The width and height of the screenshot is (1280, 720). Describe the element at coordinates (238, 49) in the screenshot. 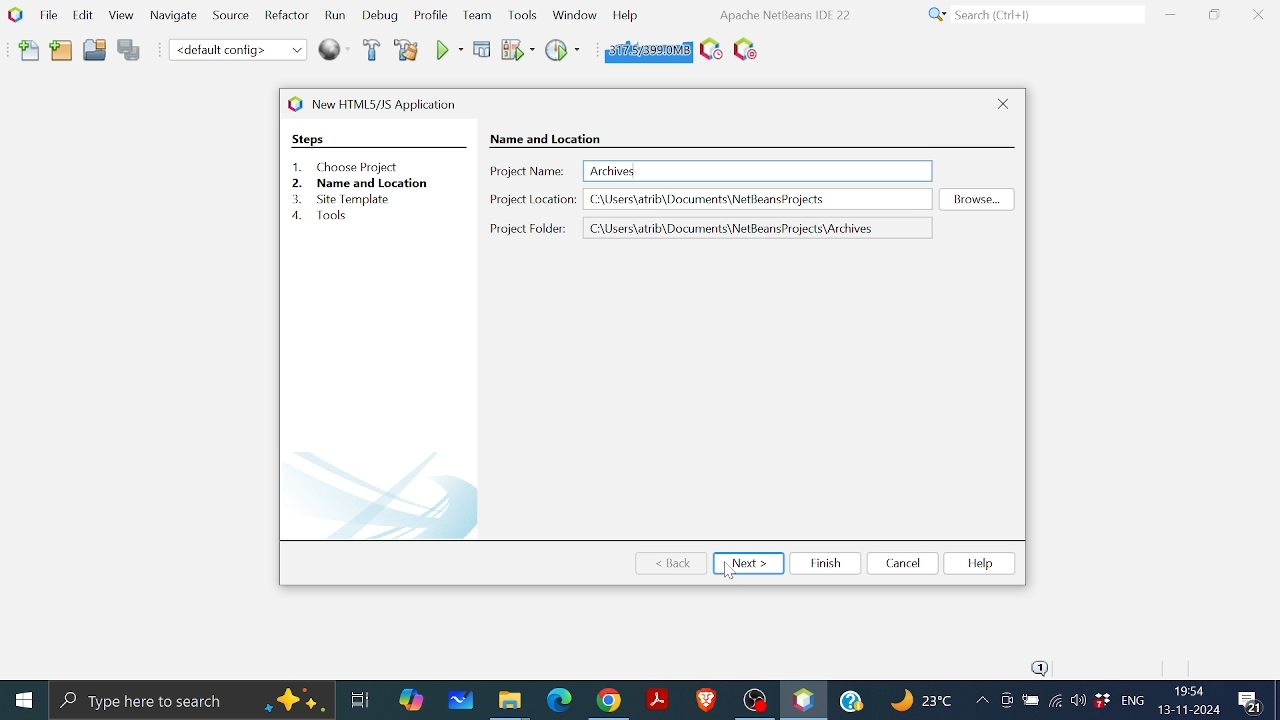

I see `Default coding` at that location.